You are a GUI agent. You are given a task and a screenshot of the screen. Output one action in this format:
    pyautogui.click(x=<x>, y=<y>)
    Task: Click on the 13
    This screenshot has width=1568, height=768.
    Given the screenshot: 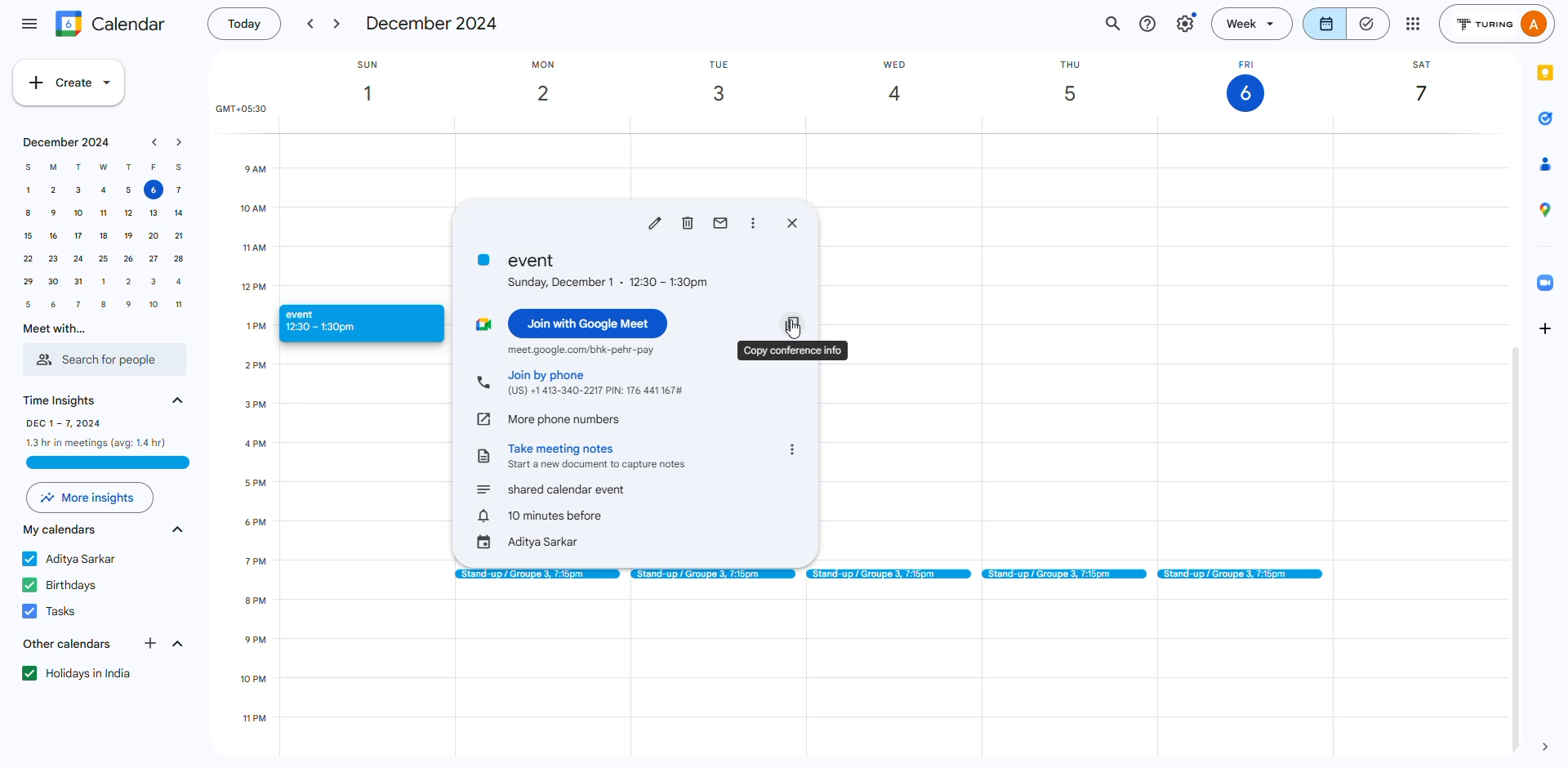 What is the action you would take?
    pyautogui.click(x=151, y=213)
    